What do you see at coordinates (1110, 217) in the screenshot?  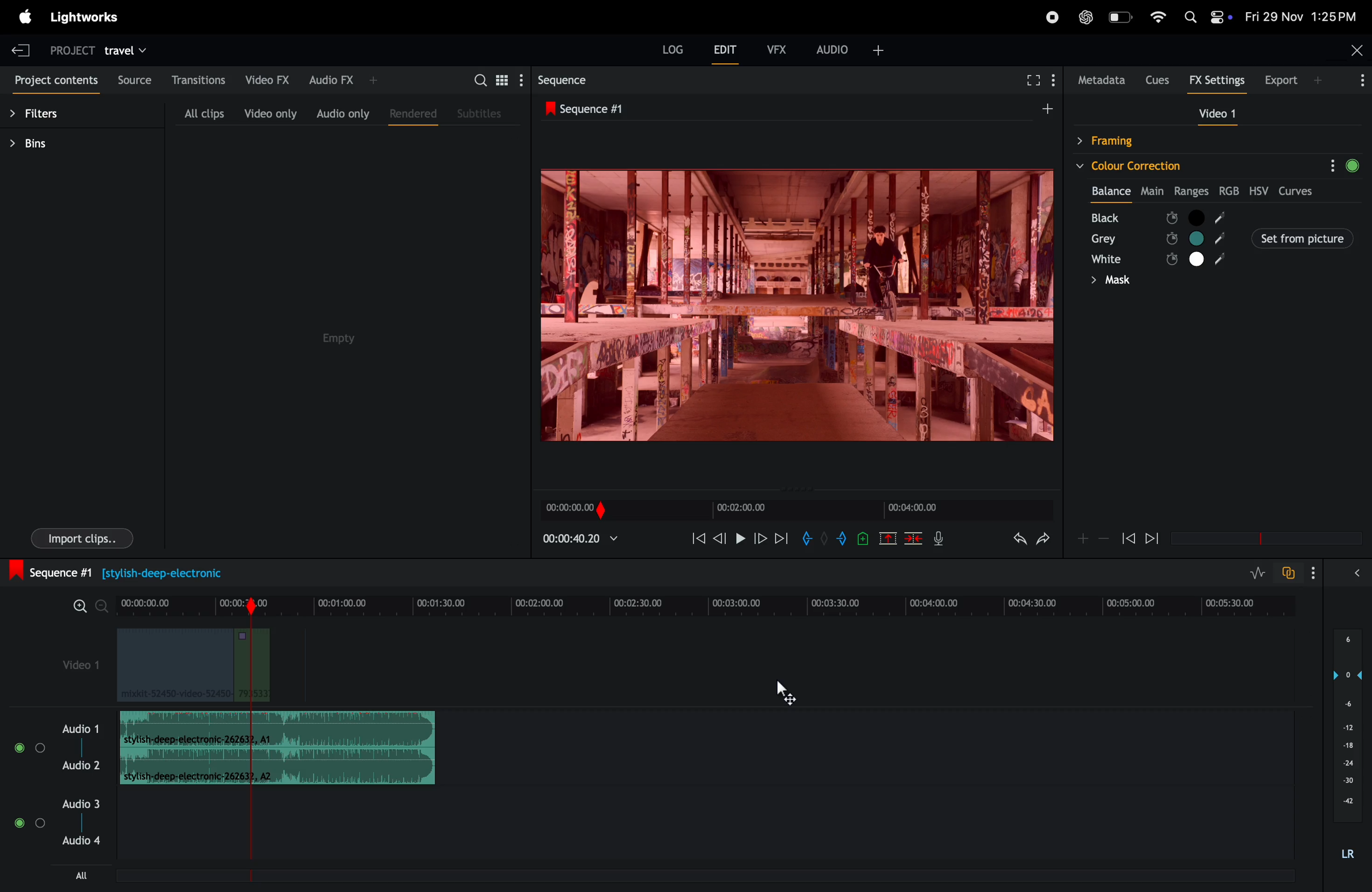 I see `black` at bounding box center [1110, 217].